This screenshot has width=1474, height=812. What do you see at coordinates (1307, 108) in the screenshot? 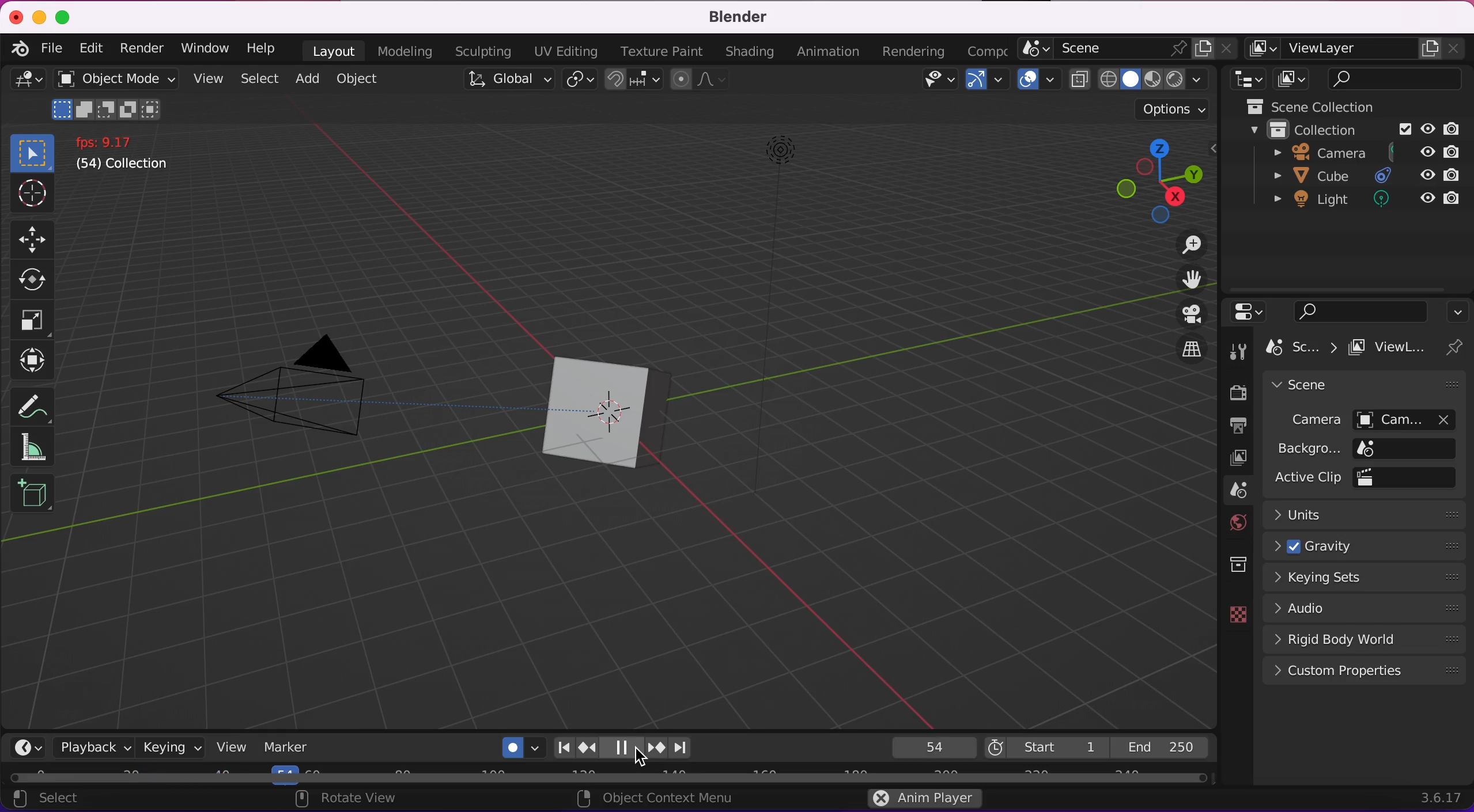
I see `scene collection` at bounding box center [1307, 108].